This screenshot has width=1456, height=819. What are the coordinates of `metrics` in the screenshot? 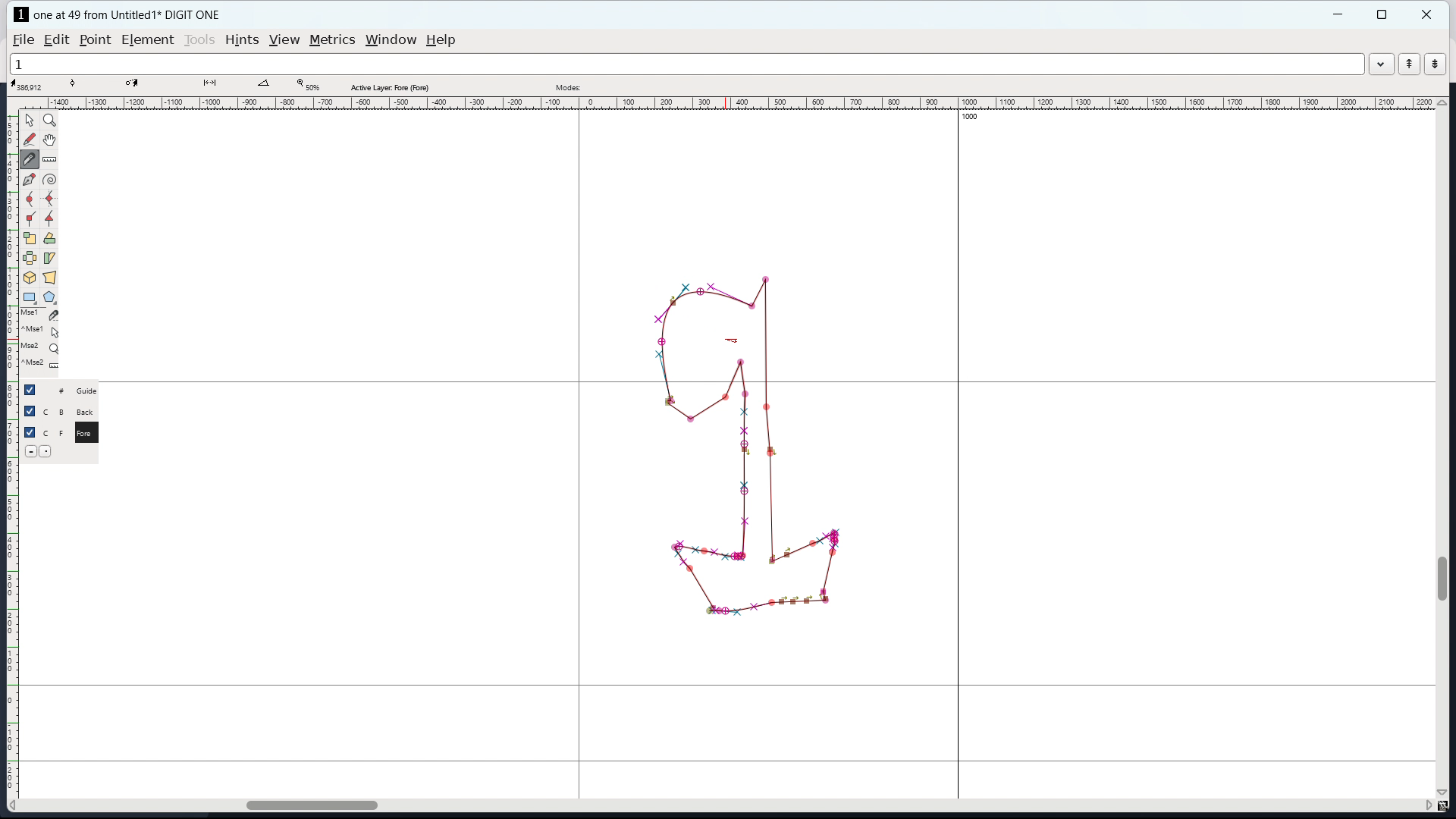 It's located at (332, 40).